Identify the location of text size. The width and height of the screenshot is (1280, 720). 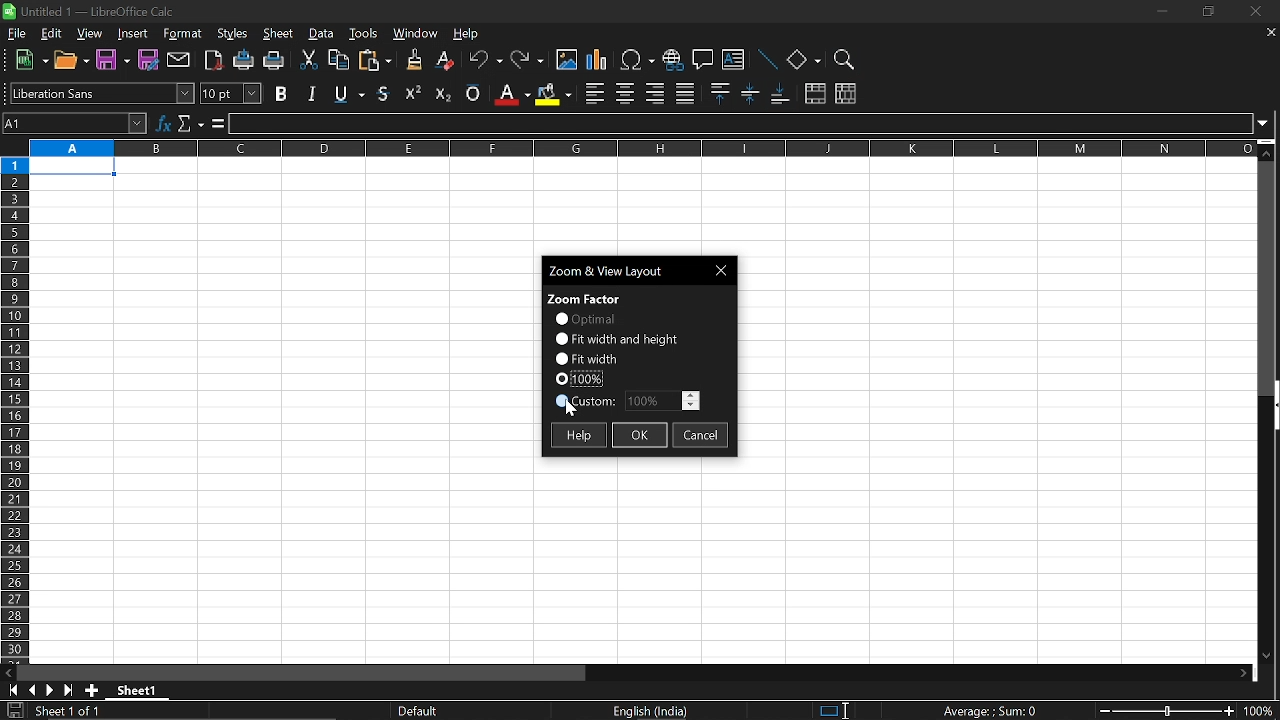
(230, 94).